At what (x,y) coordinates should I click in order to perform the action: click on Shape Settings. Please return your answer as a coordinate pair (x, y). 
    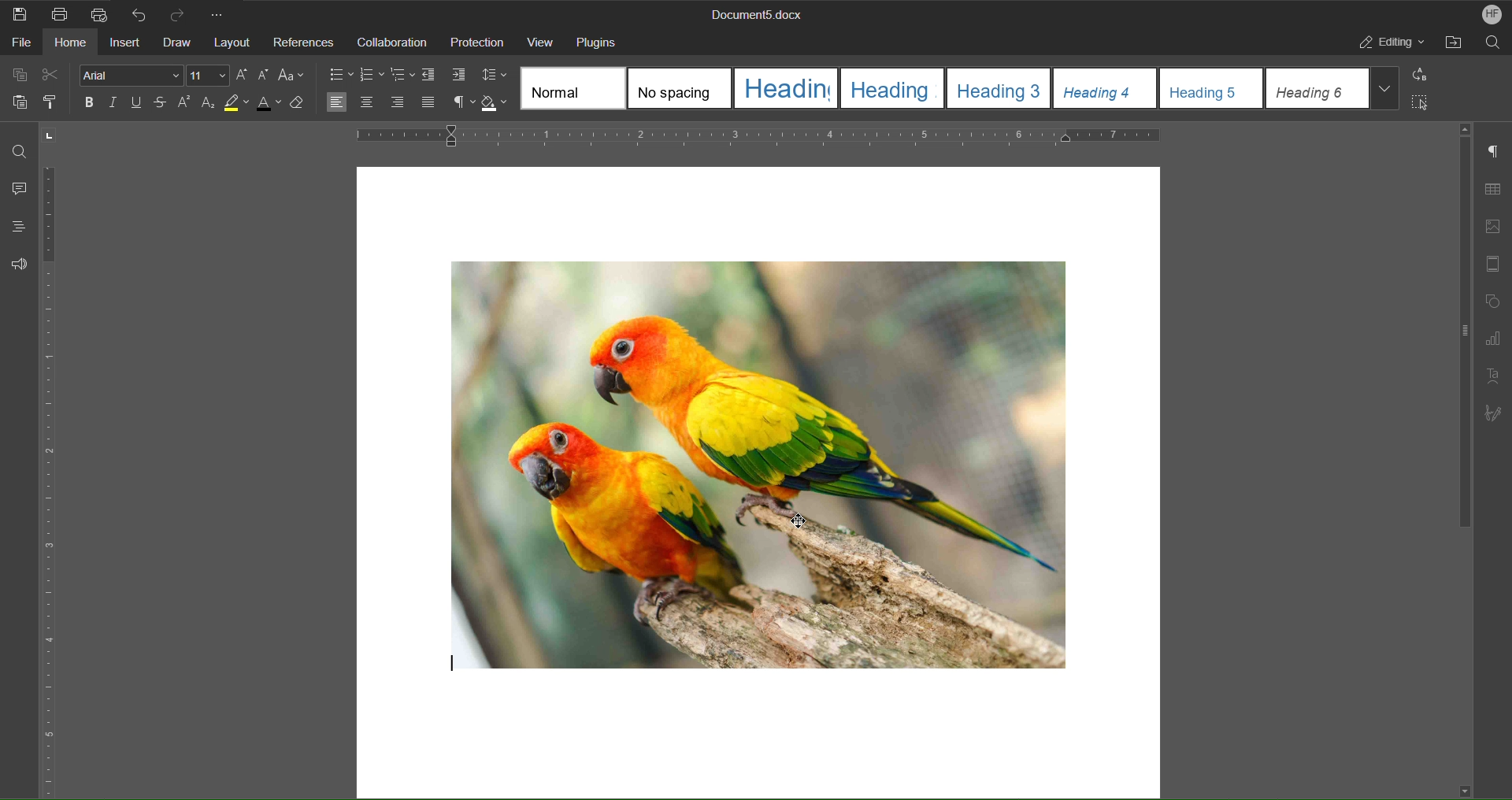
    Looking at the image, I should click on (1492, 305).